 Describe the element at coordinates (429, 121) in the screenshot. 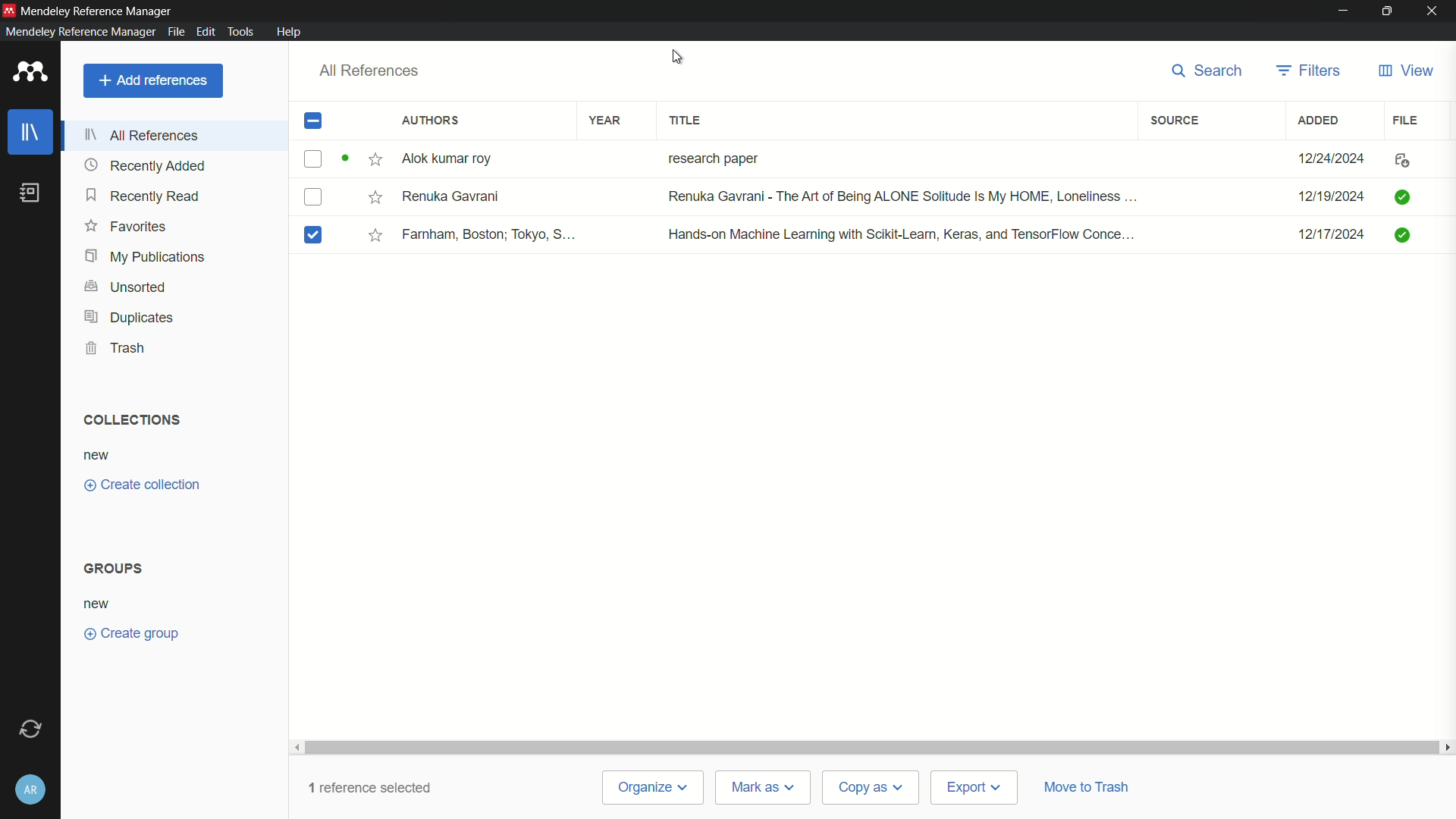

I see `authors` at that location.